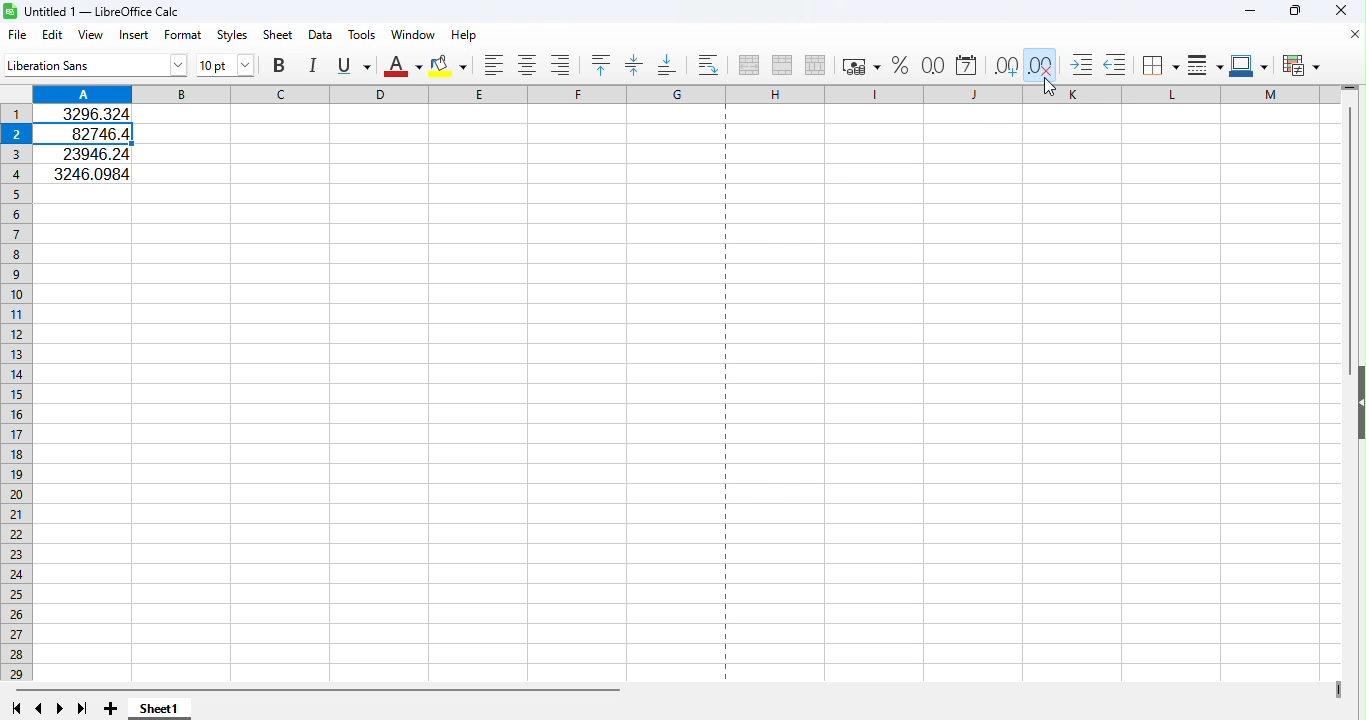  I want to click on Border color, so click(1252, 64).